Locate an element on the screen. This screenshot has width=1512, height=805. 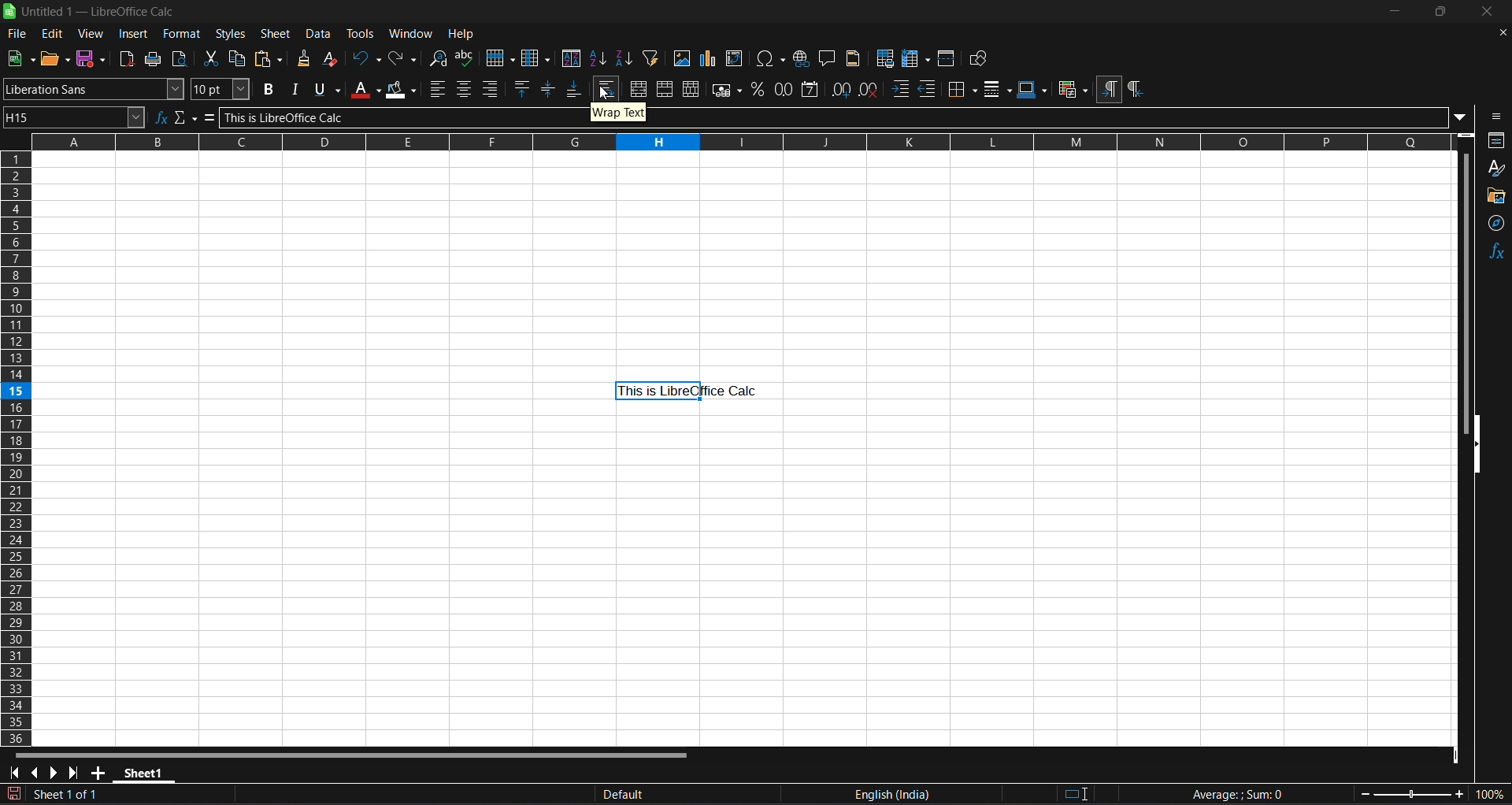
Text in the cell is not wraped is located at coordinates (688, 391).